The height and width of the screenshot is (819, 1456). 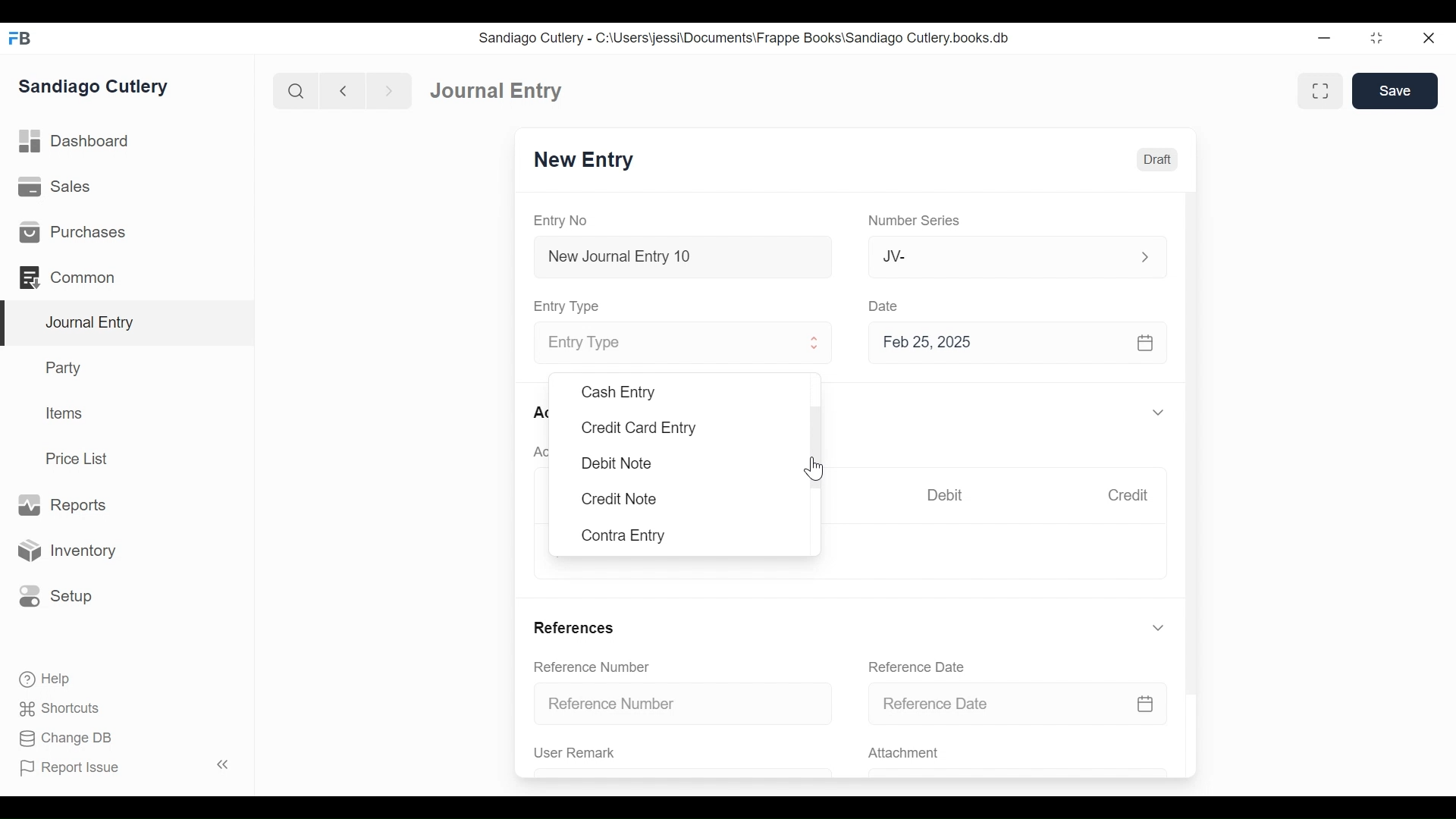 I want to click on Journal Entry, so click(x=128, y=323).